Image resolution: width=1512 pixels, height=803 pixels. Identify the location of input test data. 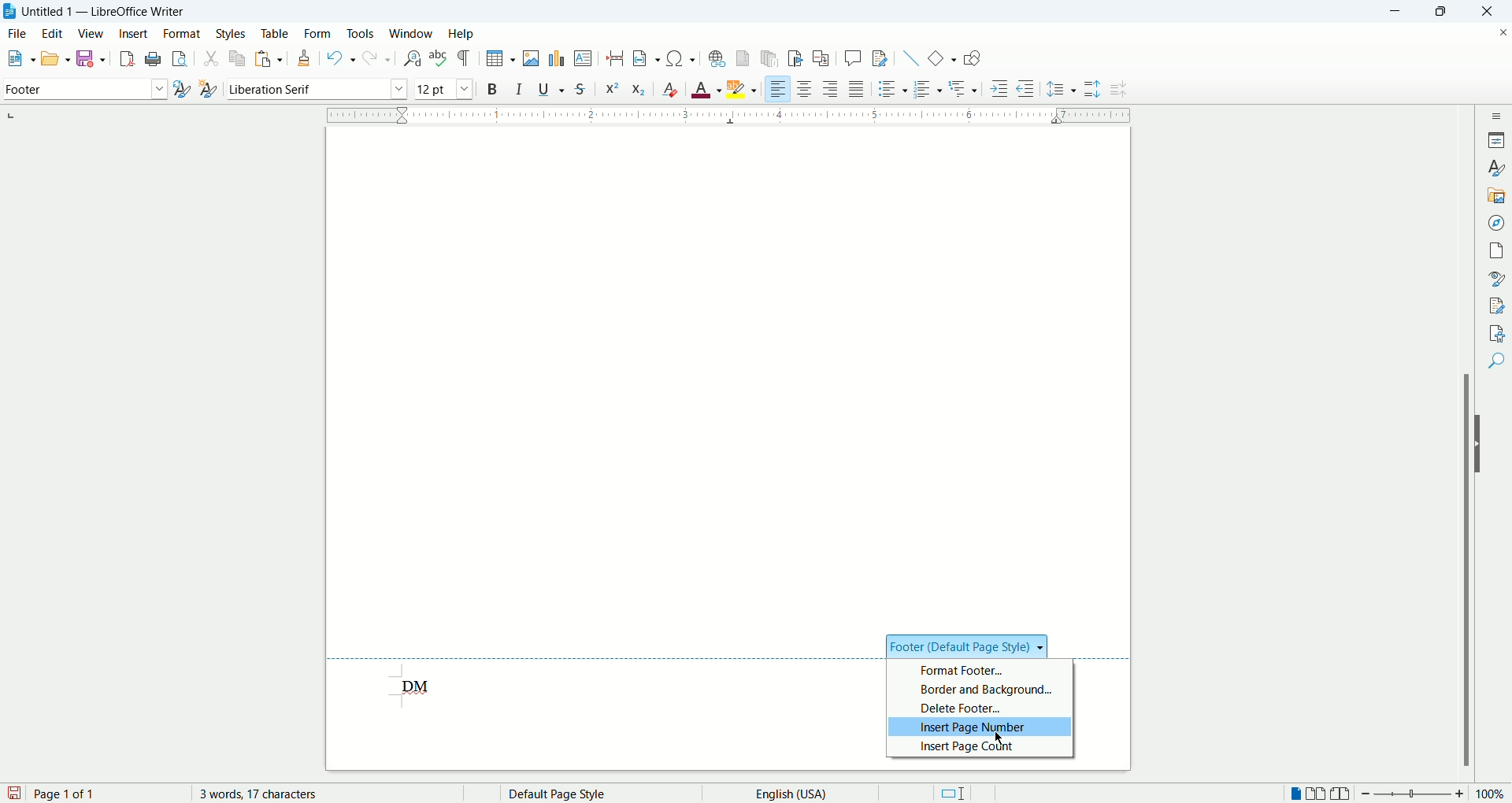
(422, 686).